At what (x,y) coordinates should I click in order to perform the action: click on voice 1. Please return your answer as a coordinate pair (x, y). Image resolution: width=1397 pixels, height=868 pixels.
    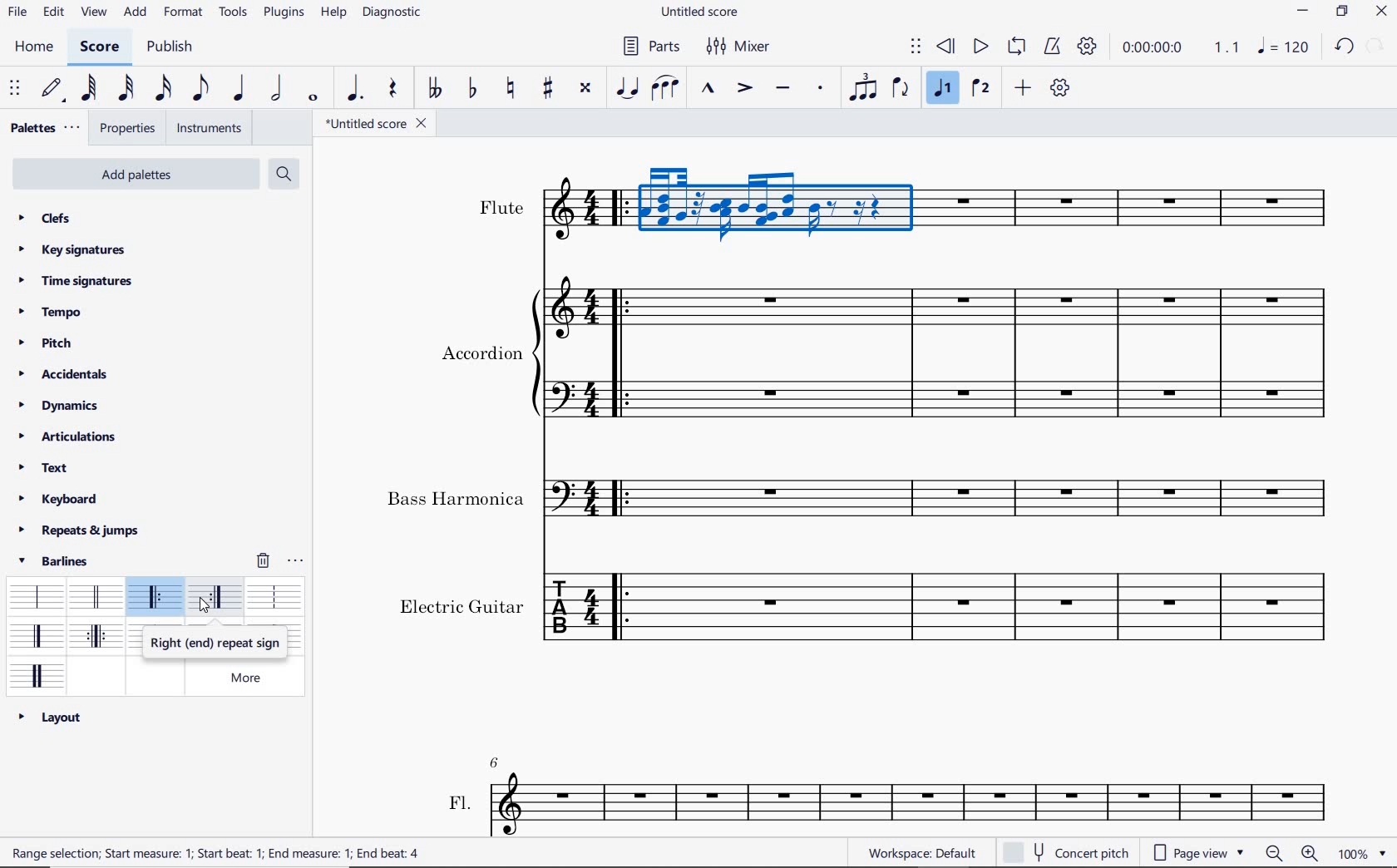
    Looking at the image, I should click on (944, 91).